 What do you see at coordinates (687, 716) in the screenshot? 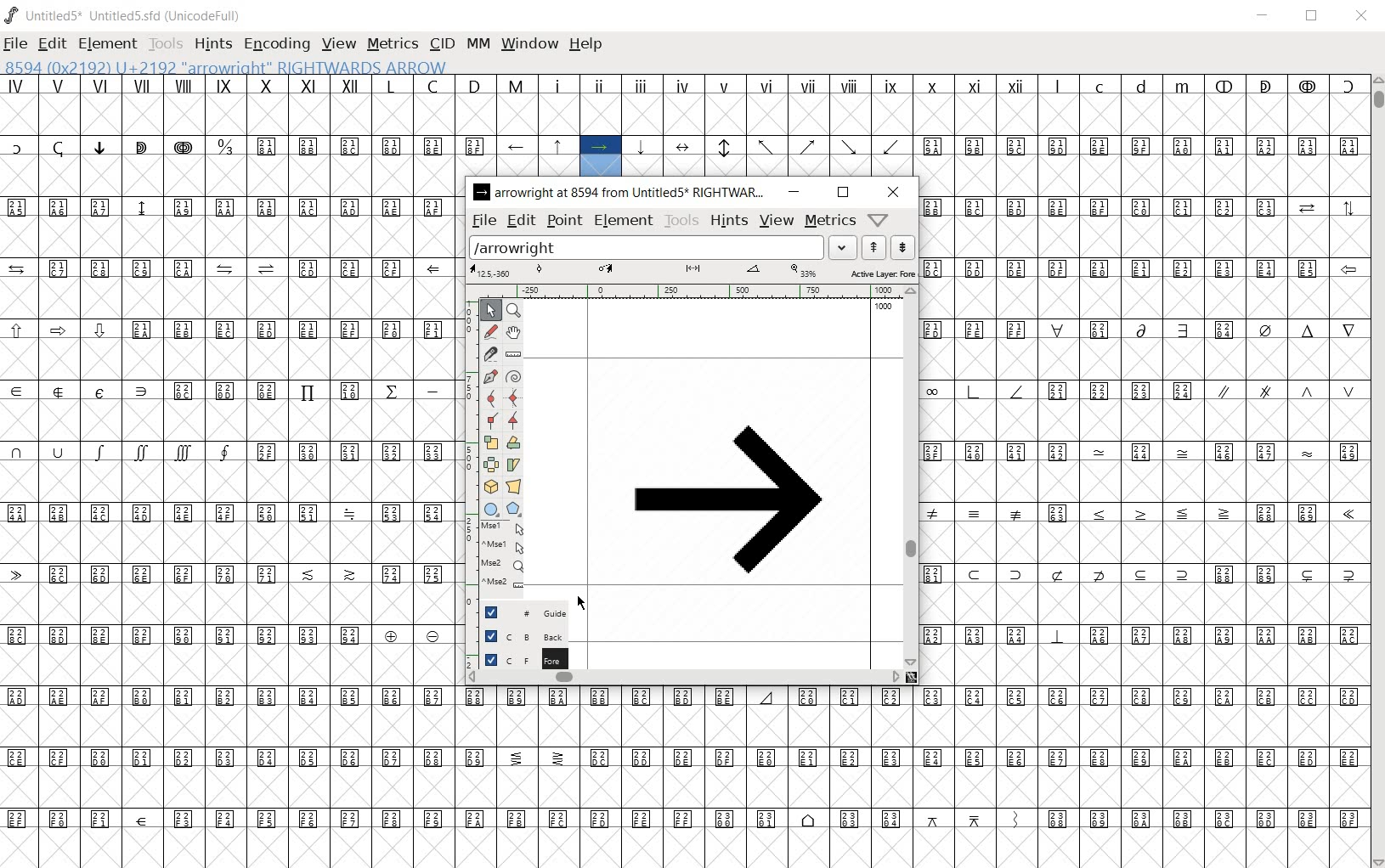
I see `gylph characters` at bounding box center [687, 716].